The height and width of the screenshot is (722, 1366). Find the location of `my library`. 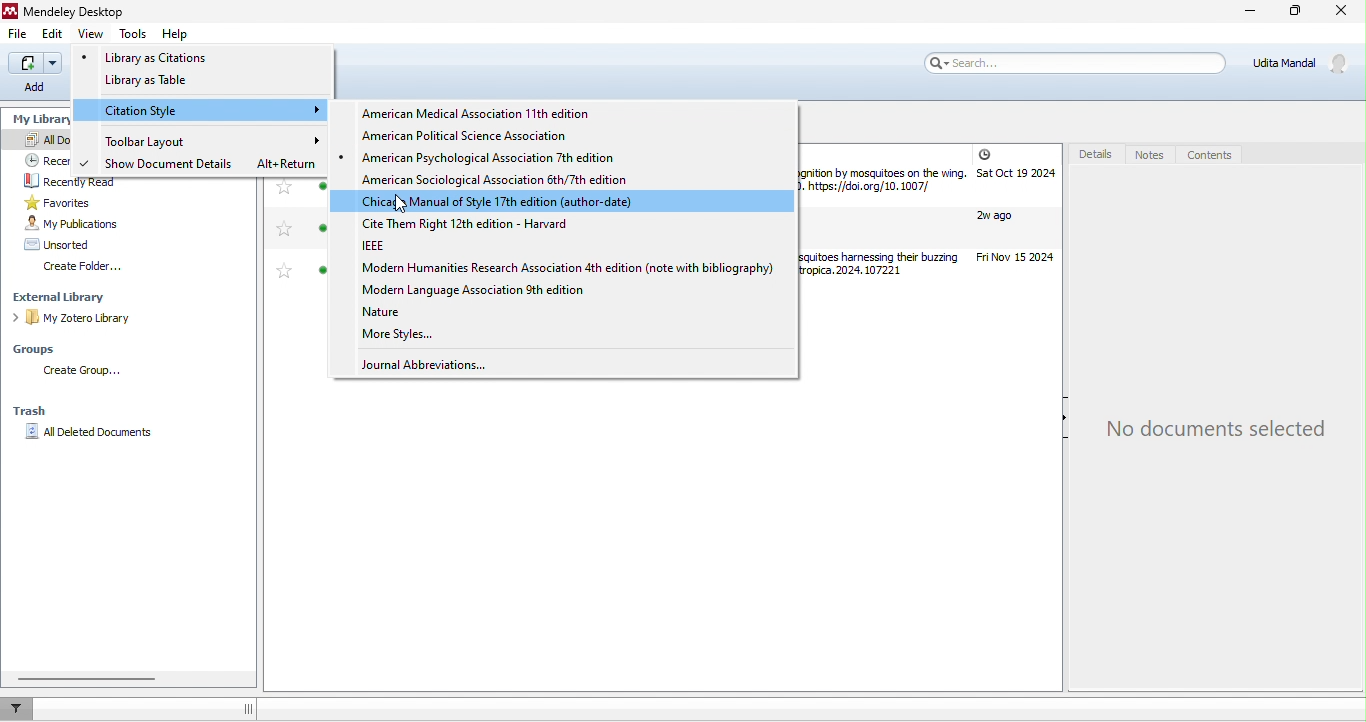

my library is located at coordinates (35, 121).